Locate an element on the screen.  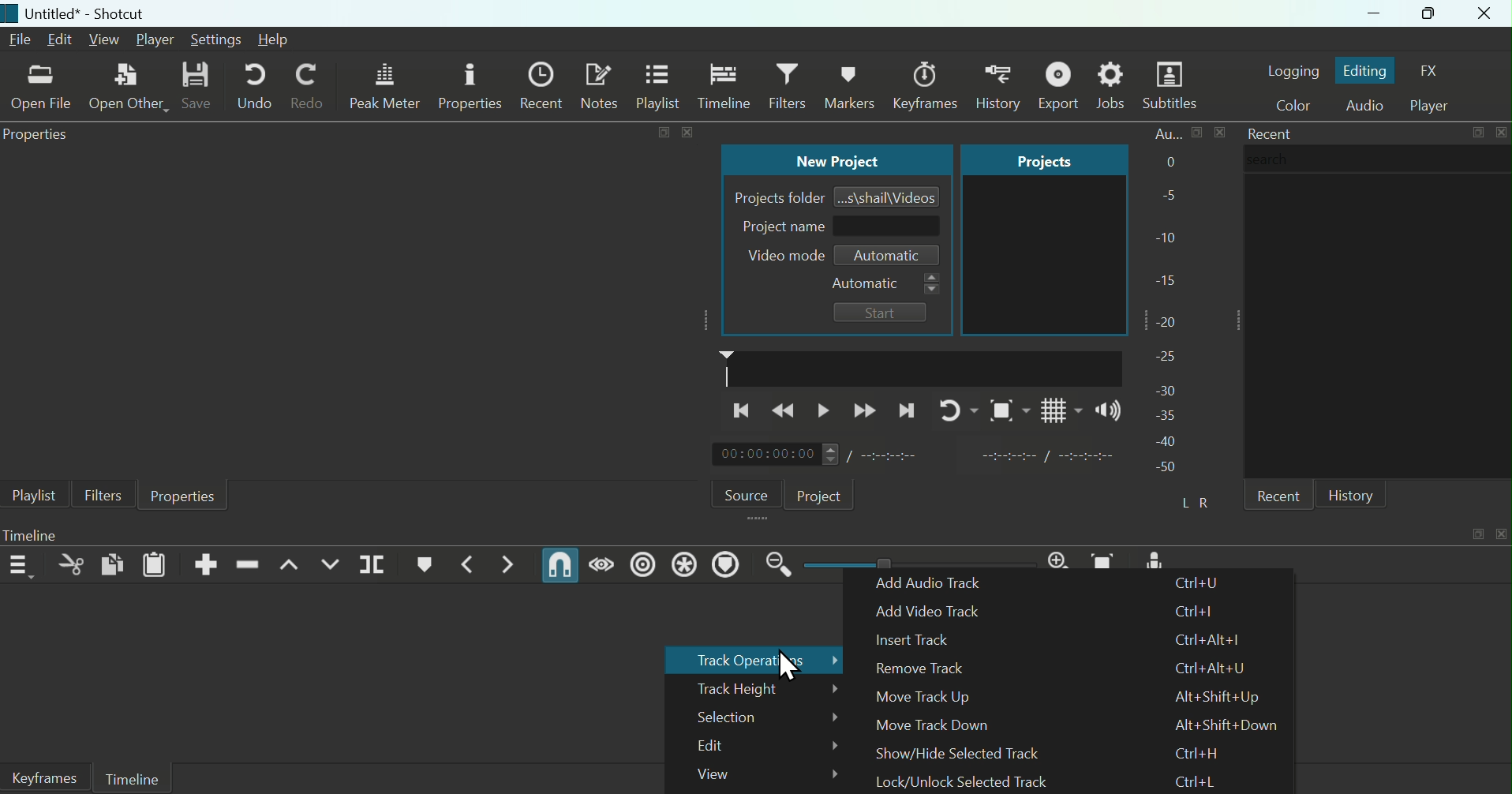
-10 is located at coordinates (1170, 237).